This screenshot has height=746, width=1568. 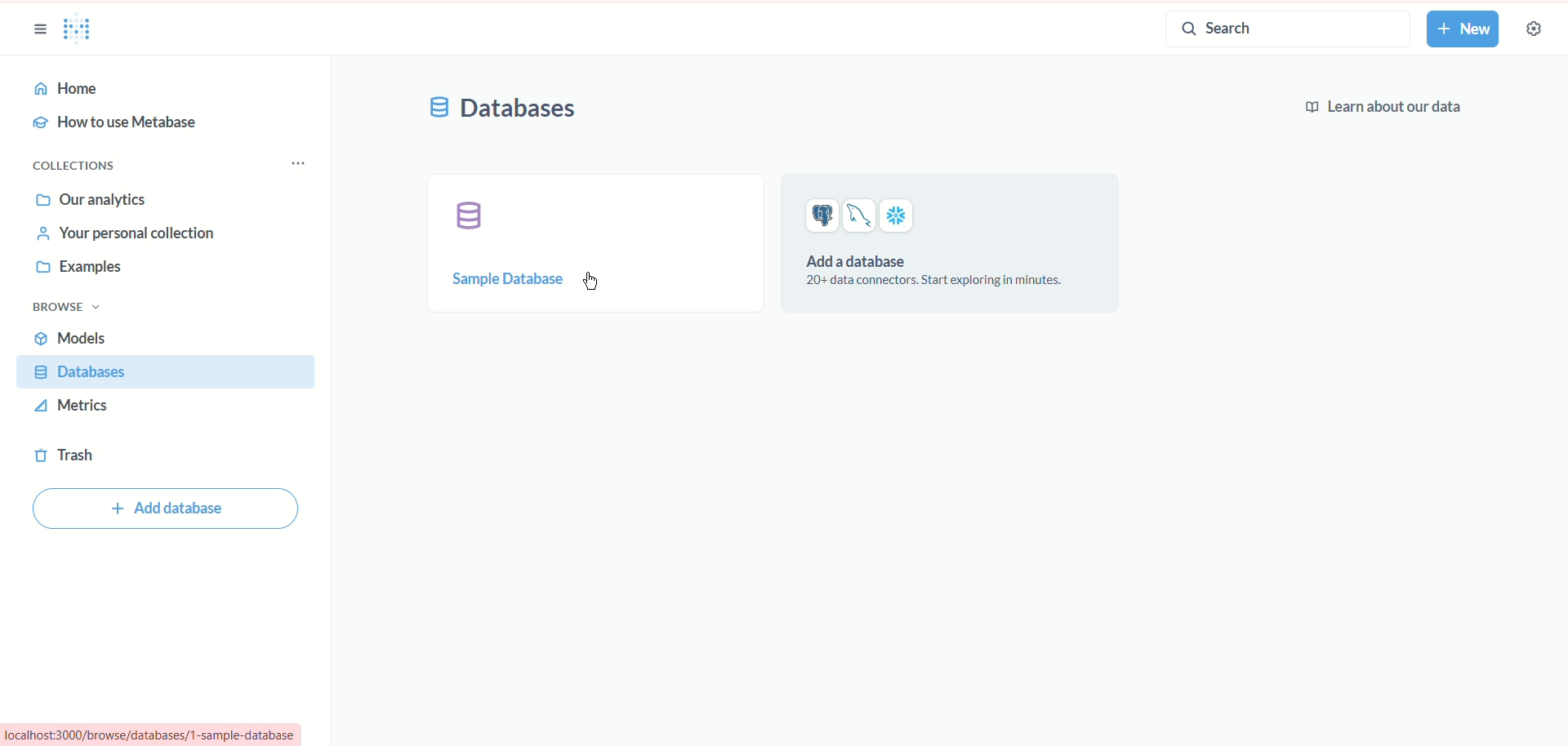 I want to click on sample database, so click(x=597, y=242).